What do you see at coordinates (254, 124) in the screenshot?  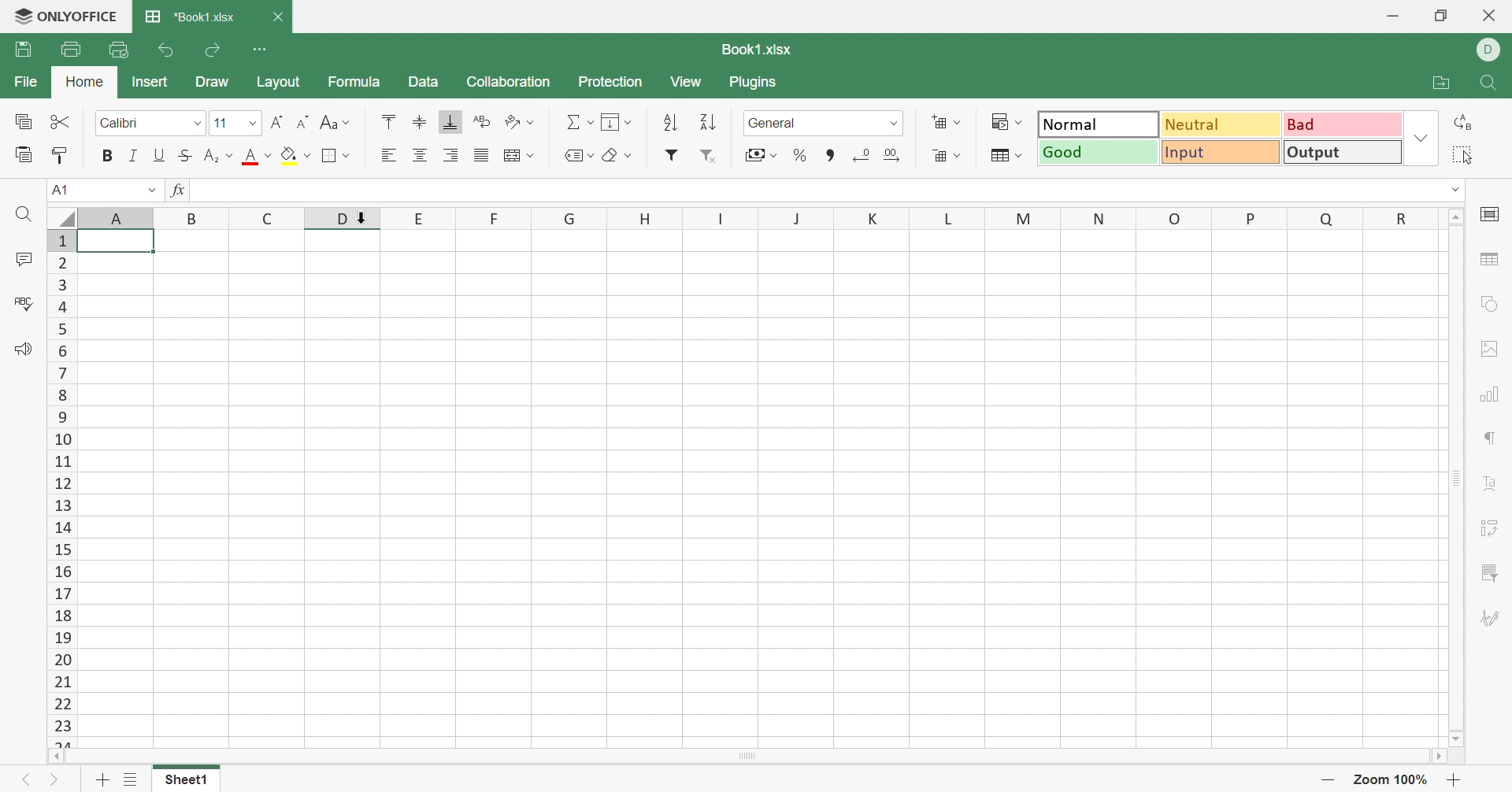 I see `Drop Down` at bounding box center [254, 124].